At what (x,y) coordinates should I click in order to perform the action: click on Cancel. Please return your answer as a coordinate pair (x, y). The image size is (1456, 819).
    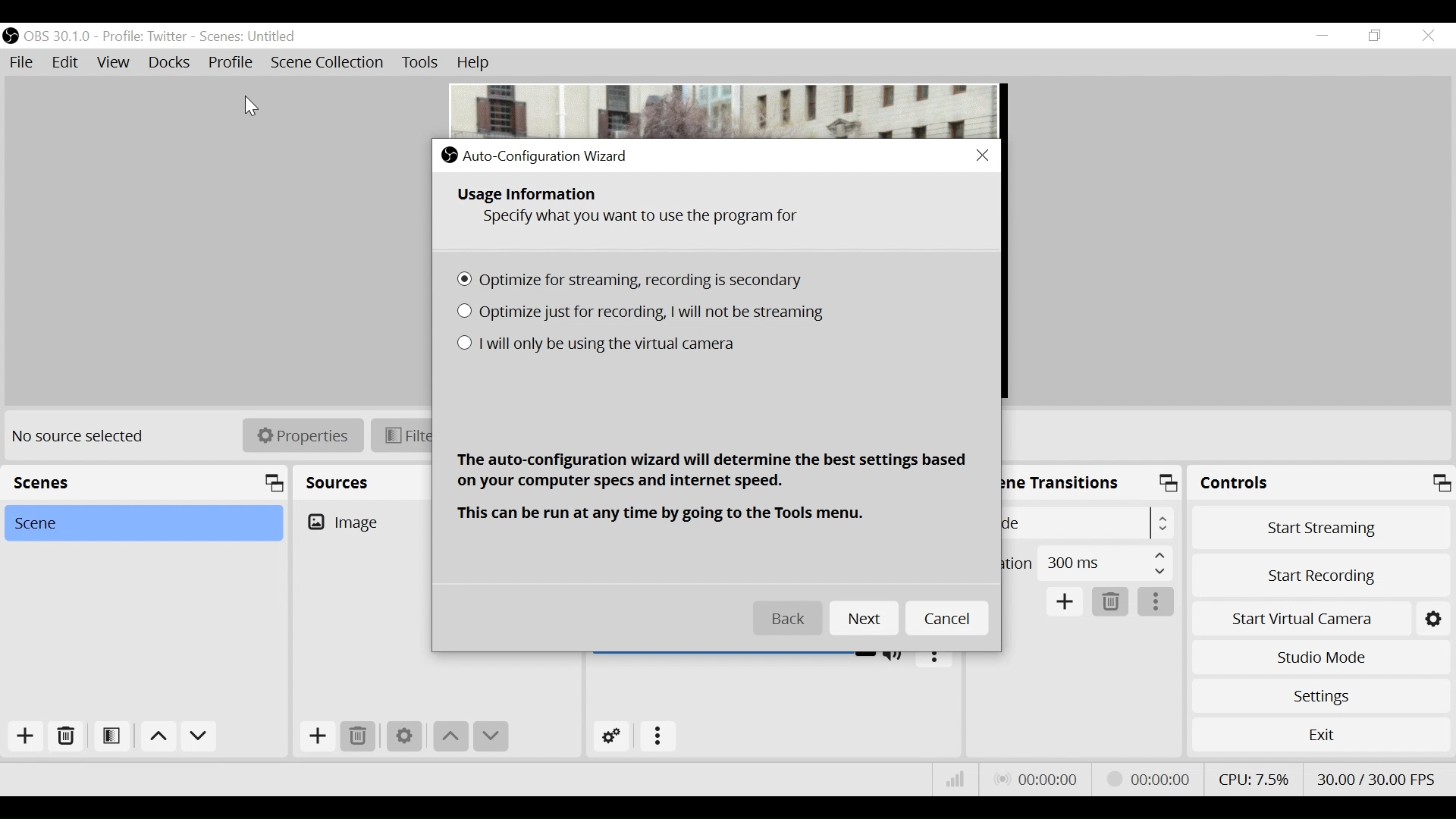
    Looking at the image, I should click on (947, 618).